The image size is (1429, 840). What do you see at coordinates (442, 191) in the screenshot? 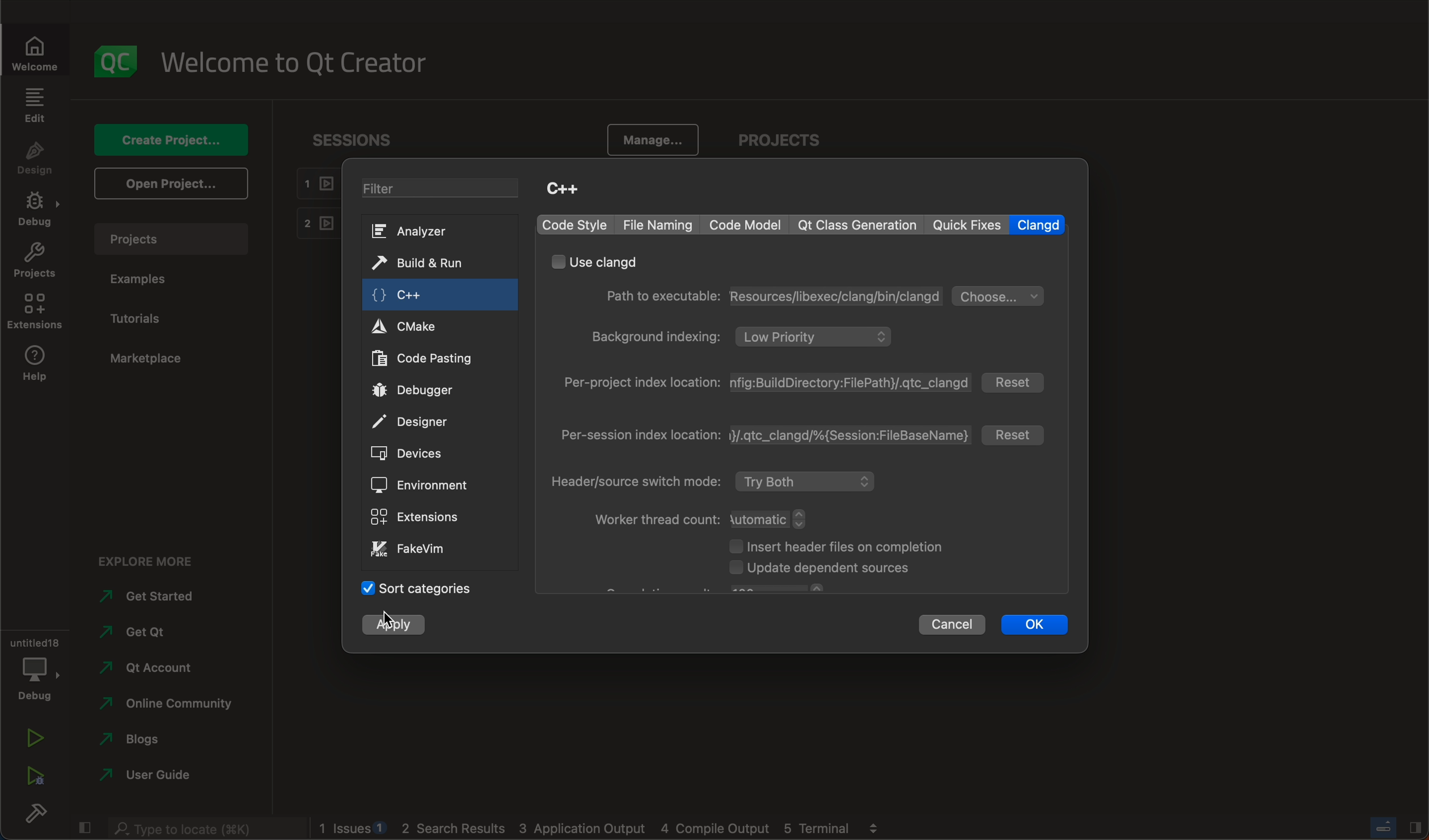
I see `filter` at bounding box center [442, 191].